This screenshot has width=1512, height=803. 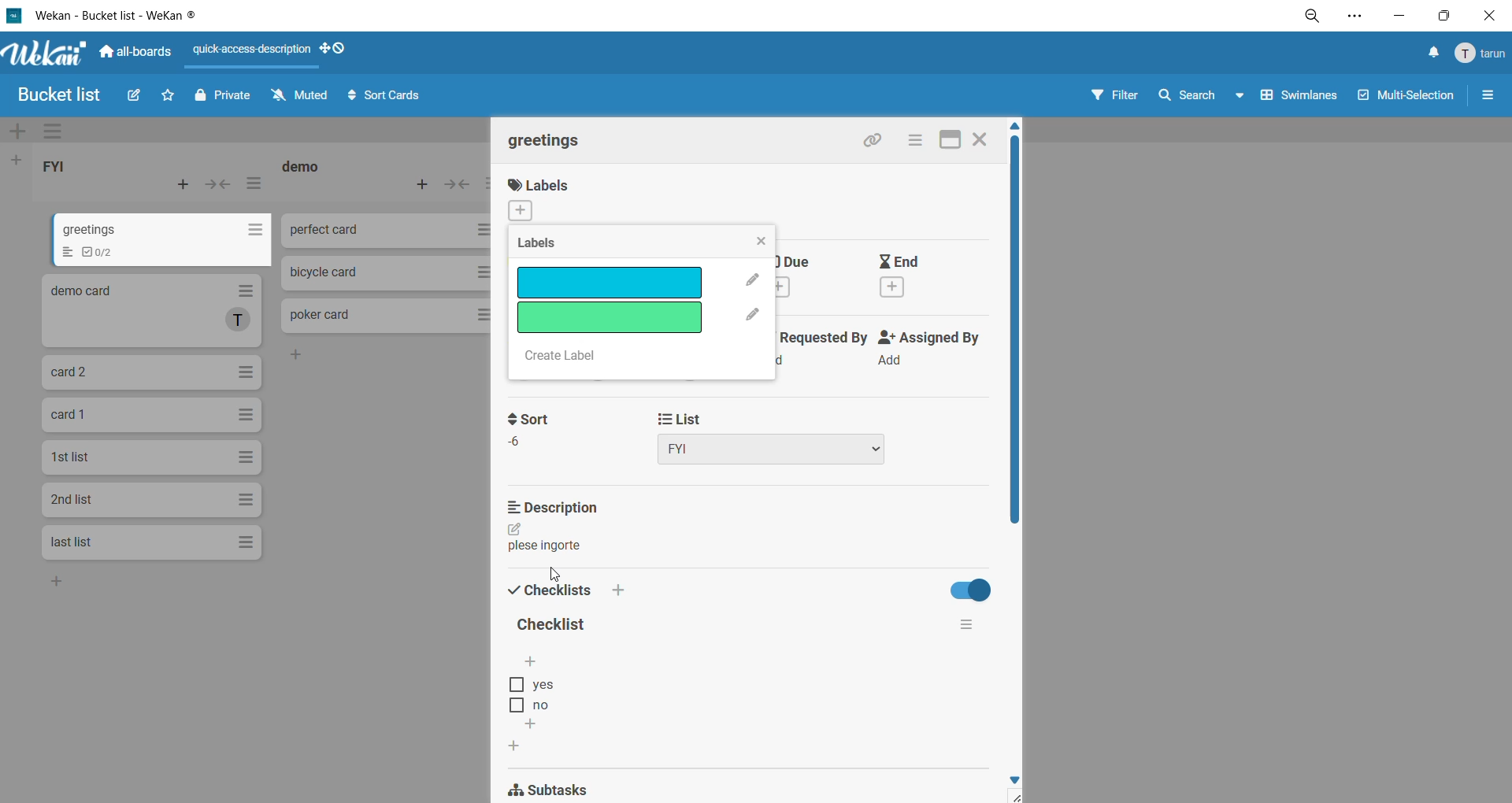 I want to click on card 1, so click(x=157, y=417).